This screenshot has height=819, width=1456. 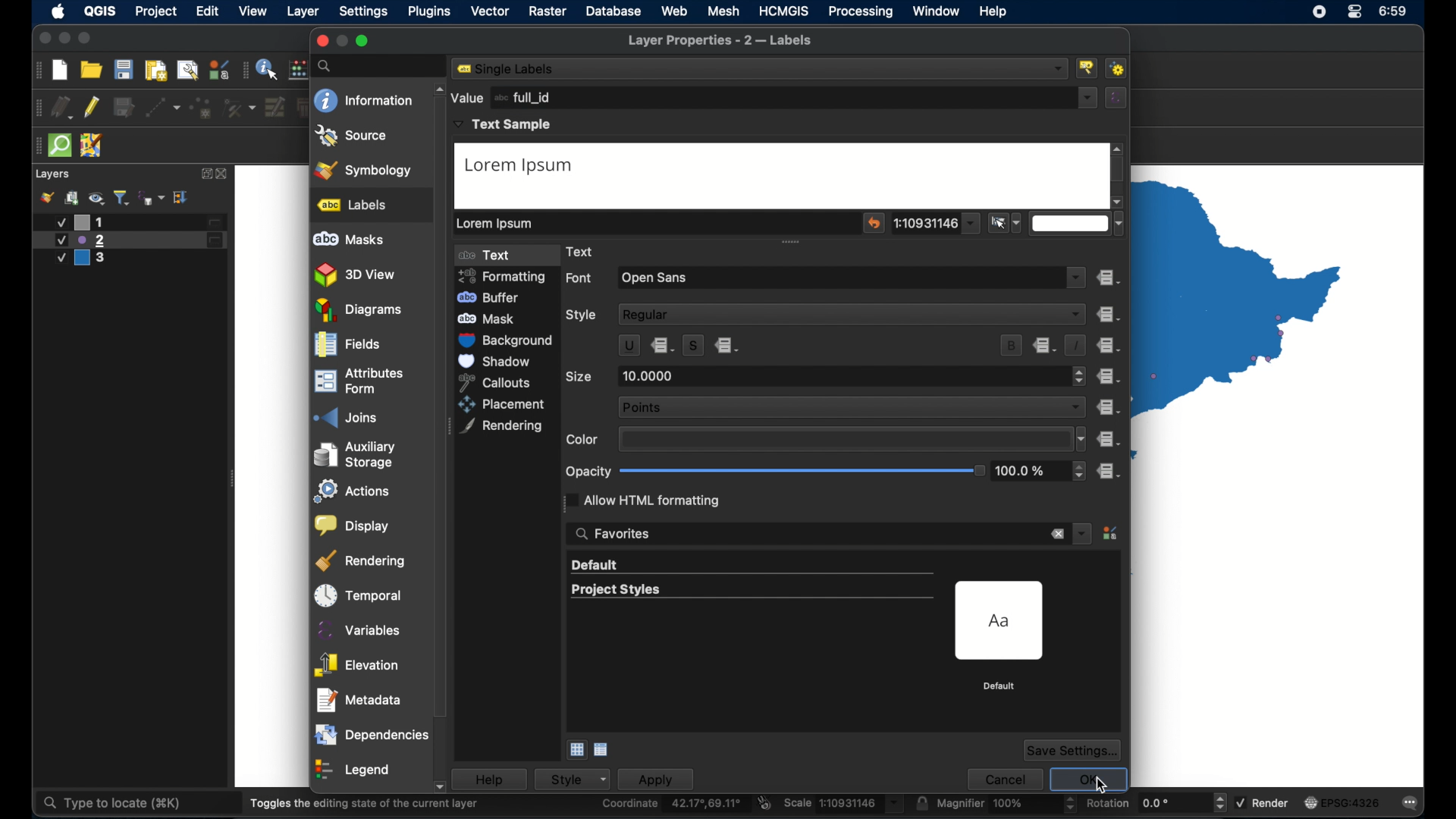 I want to click on data defined override, so click(x=1046, y=345).